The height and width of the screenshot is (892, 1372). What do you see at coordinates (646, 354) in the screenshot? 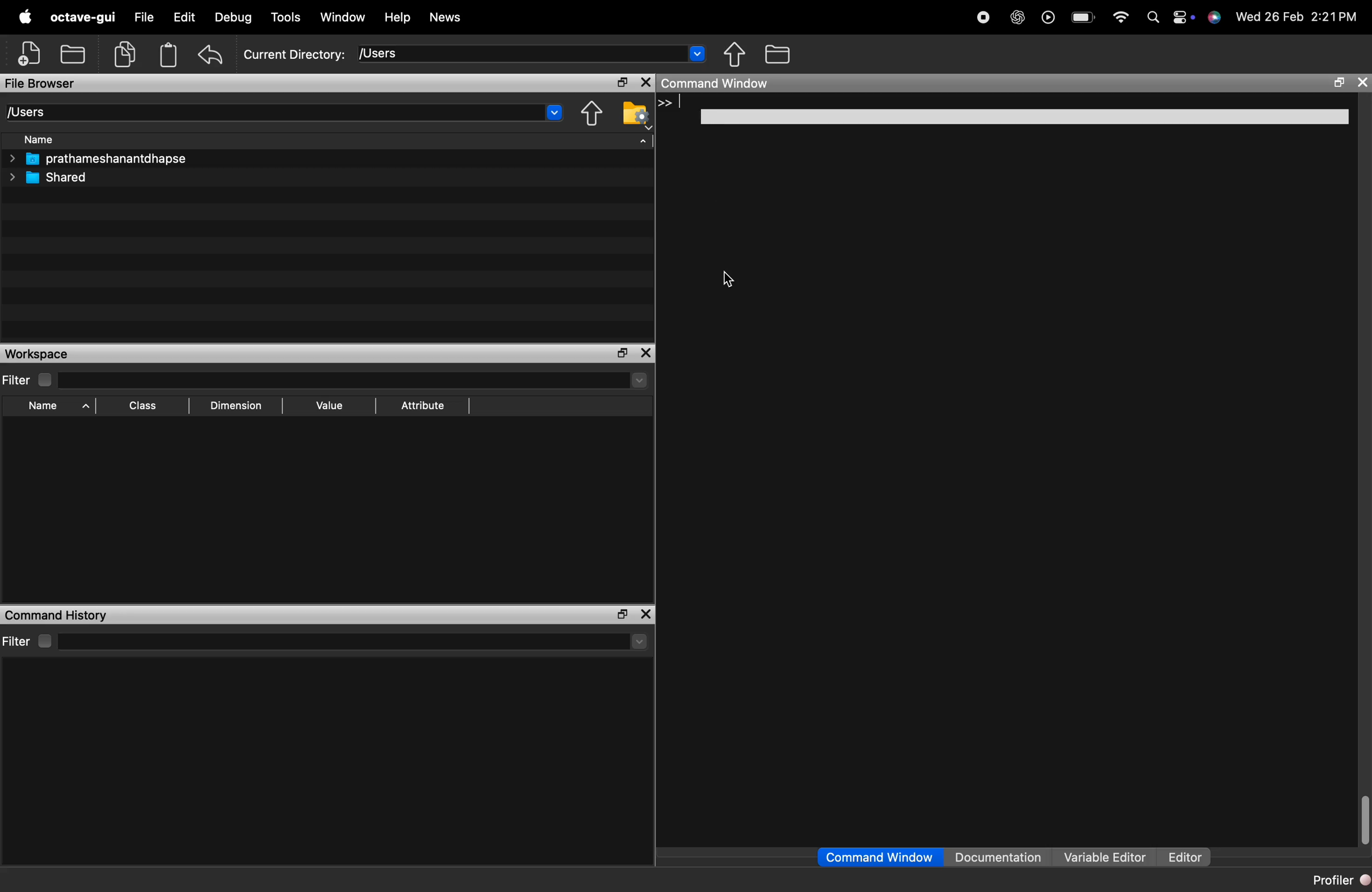
I see `close` at bounding box center [646, 354].